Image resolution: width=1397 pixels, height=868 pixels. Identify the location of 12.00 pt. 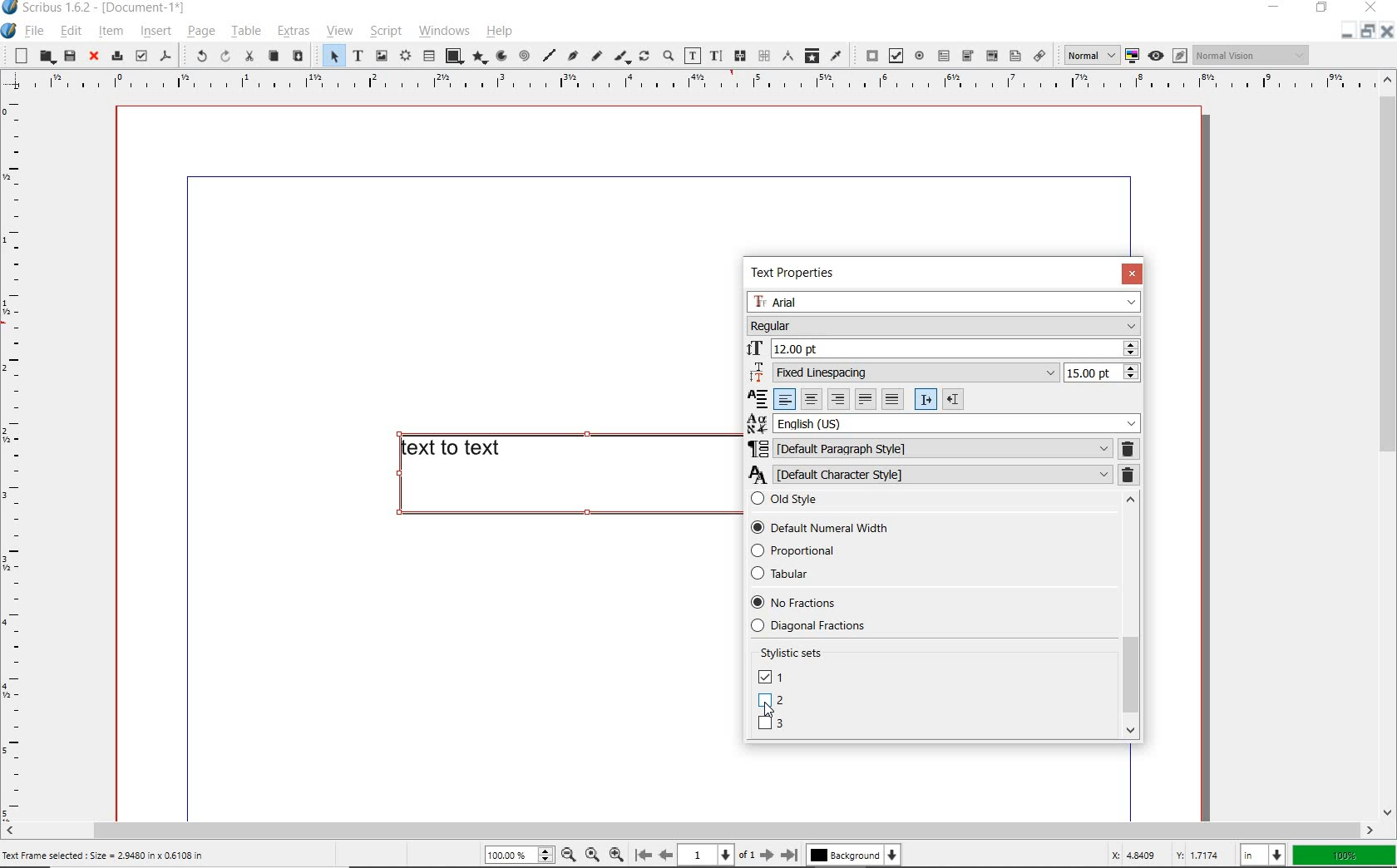
(942, 349).